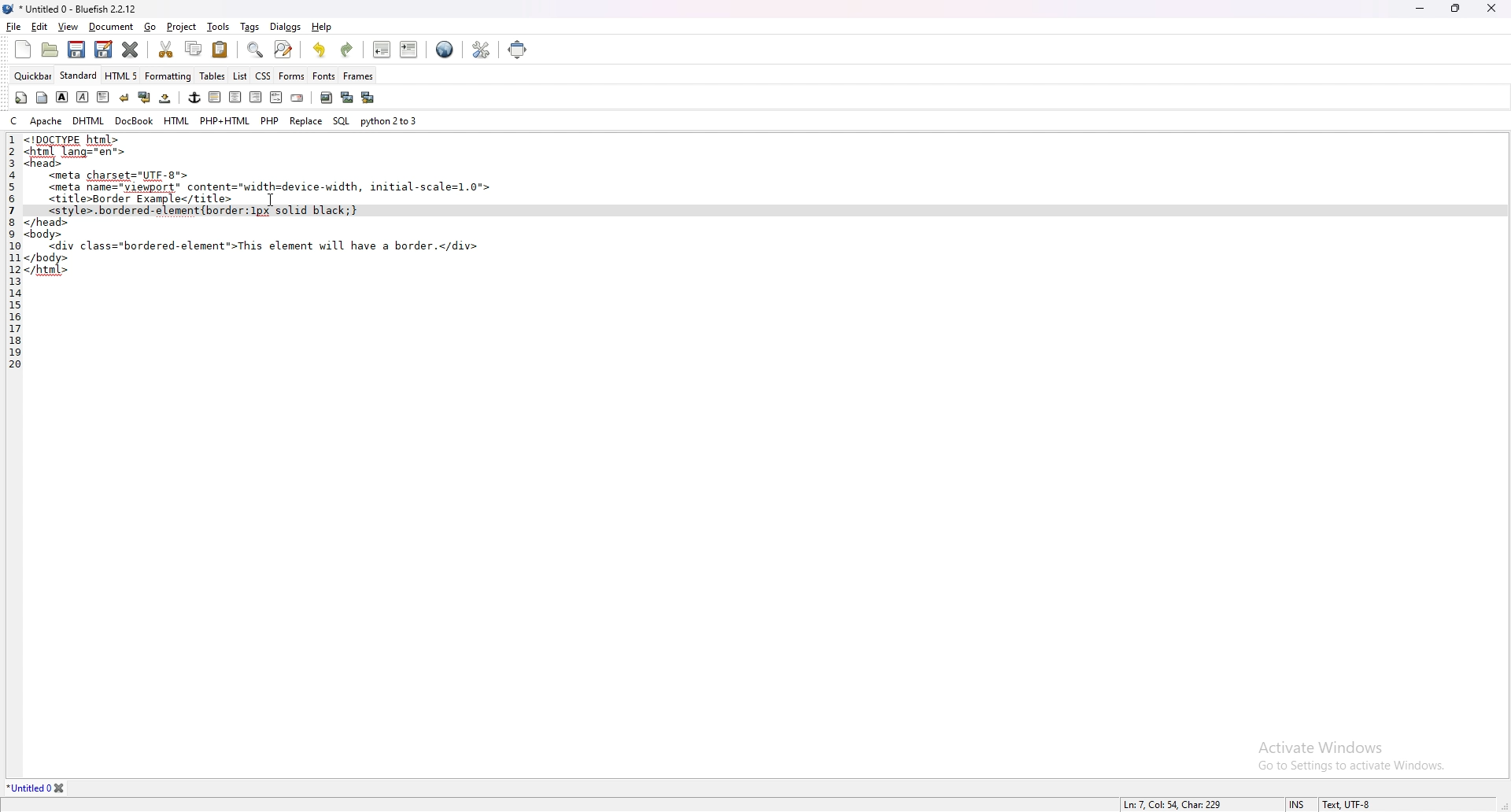 The height and width of the screenshot is (812, 1511). What do you see at coordinates (236, 97) in the screenshot?
I see `center justify` at bounding box center [236, 97].